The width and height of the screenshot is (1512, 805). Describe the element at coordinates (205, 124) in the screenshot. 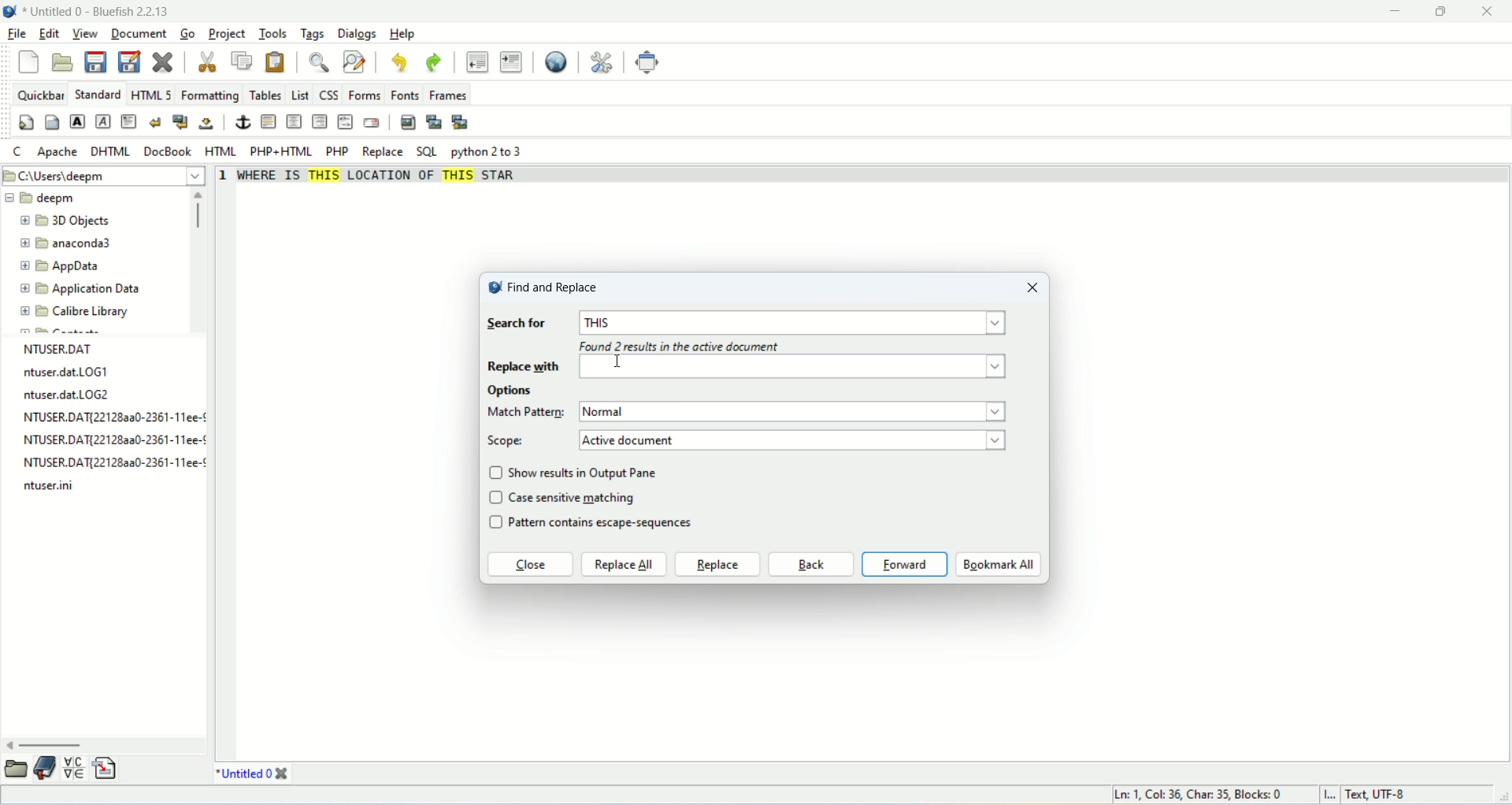

I see `non breaking space` at that location.